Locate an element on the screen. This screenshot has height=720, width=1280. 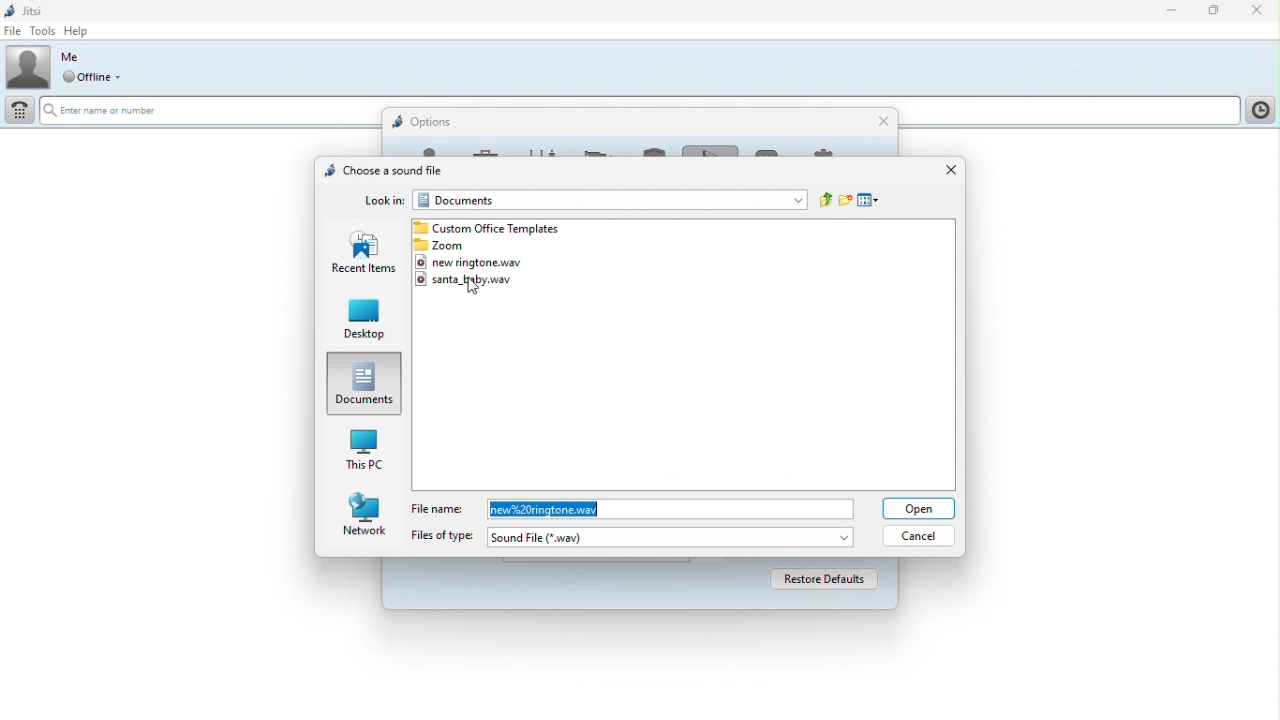
Open is located at coordinates (918, 509).